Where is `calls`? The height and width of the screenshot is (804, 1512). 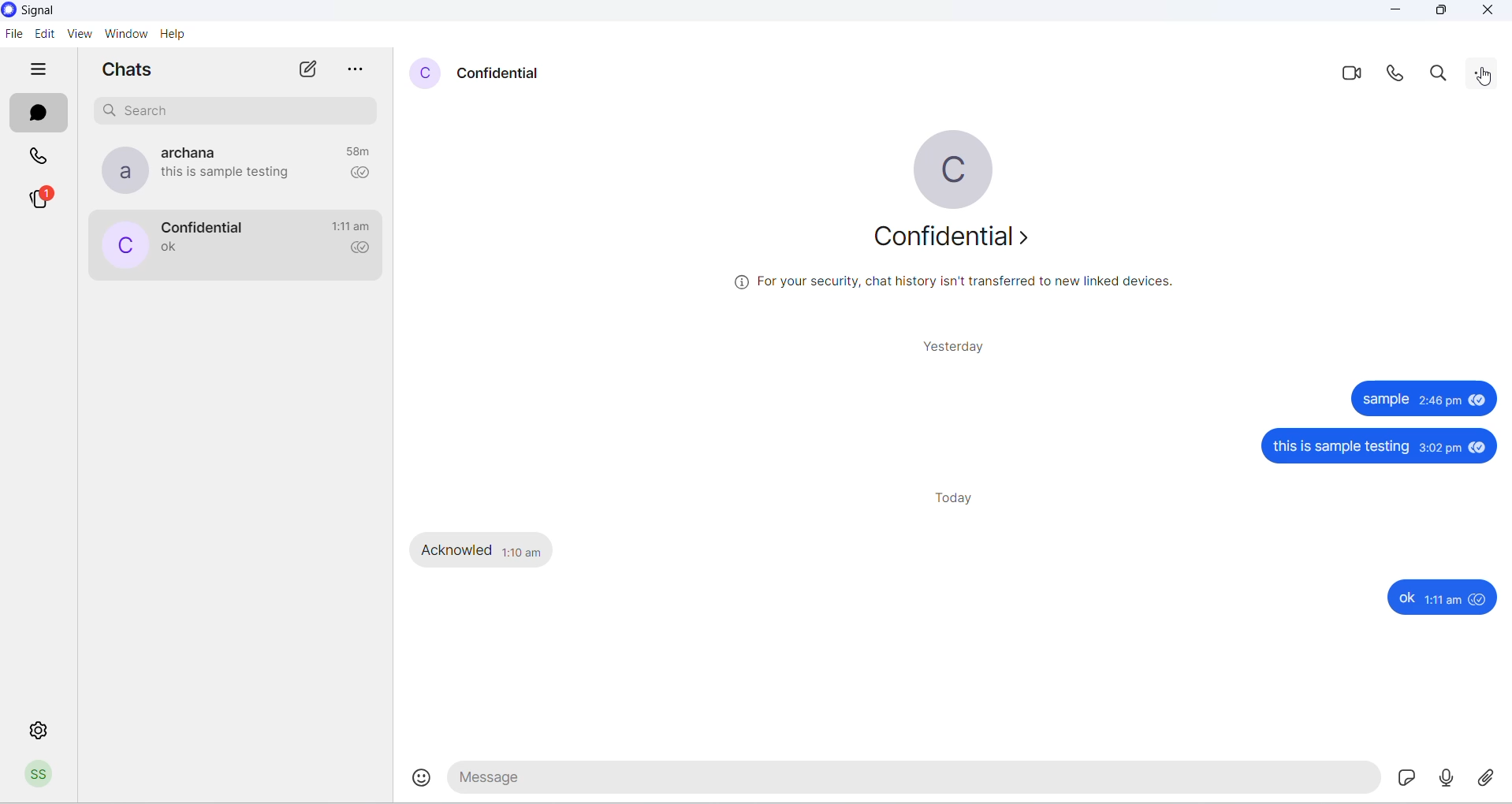 calls is located at coordinates (39, 158).